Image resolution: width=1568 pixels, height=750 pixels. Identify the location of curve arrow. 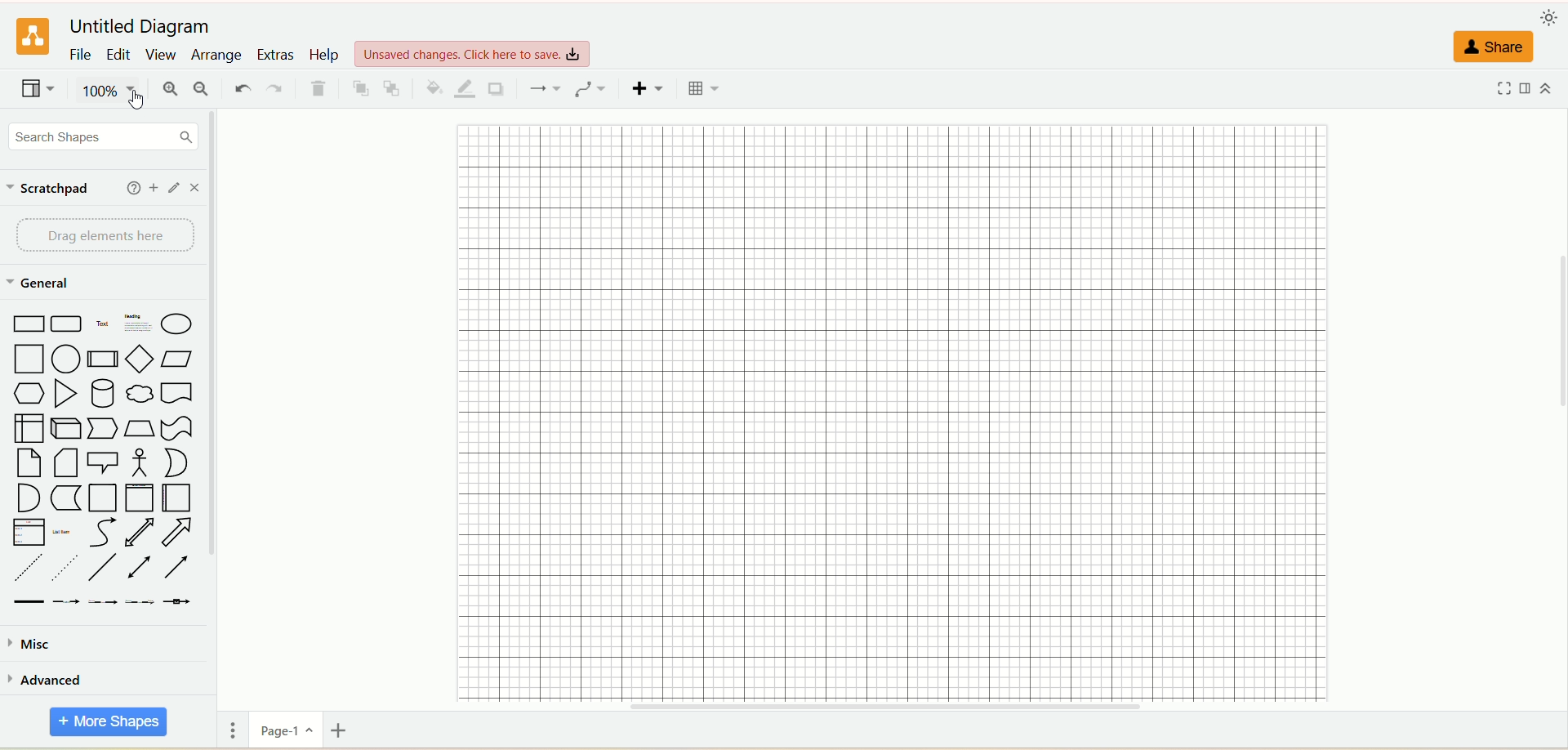
(100, 533).